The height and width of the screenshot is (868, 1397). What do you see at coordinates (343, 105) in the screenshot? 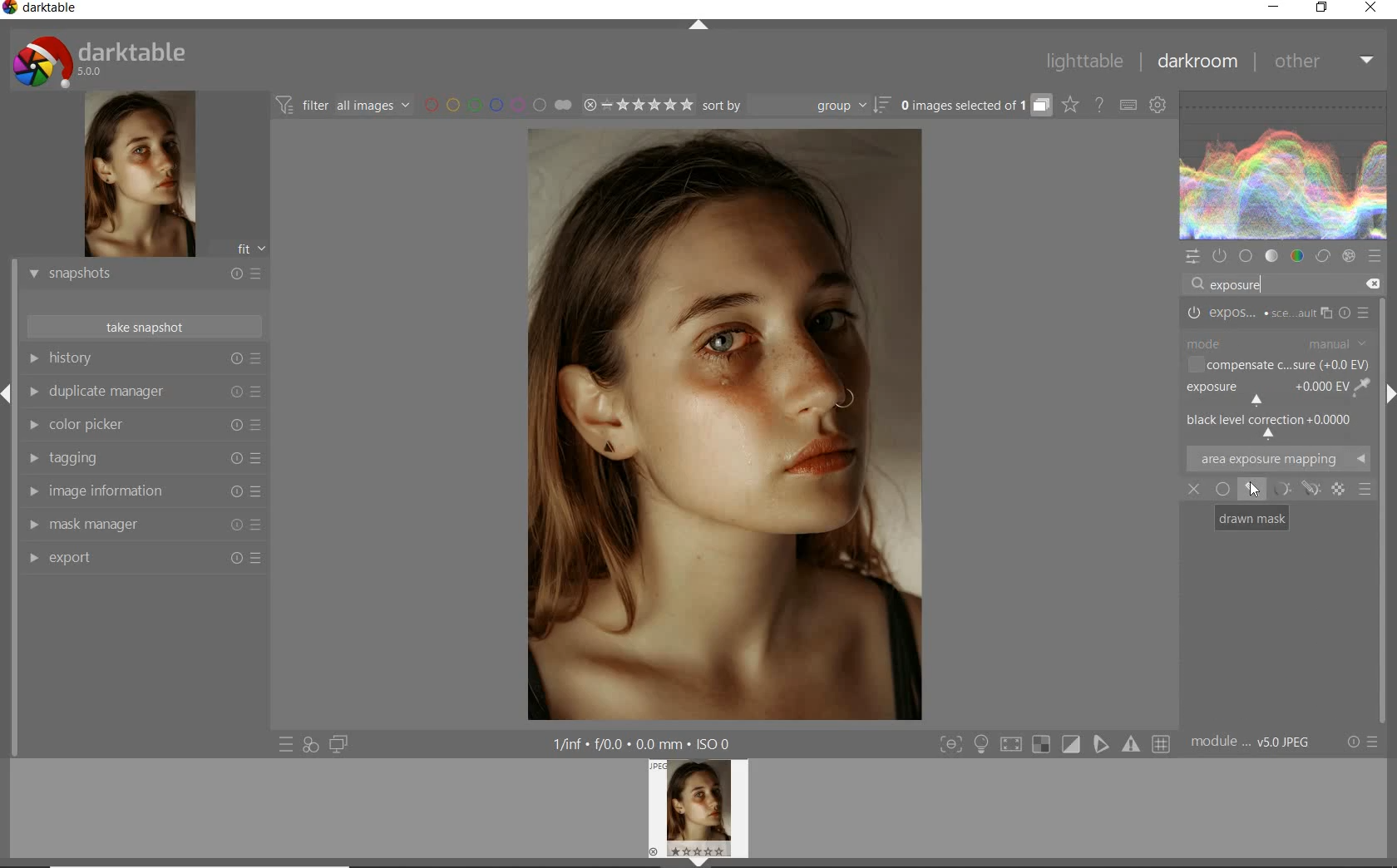
I see `filter images based on their modules` at bounding box center [343, 105].